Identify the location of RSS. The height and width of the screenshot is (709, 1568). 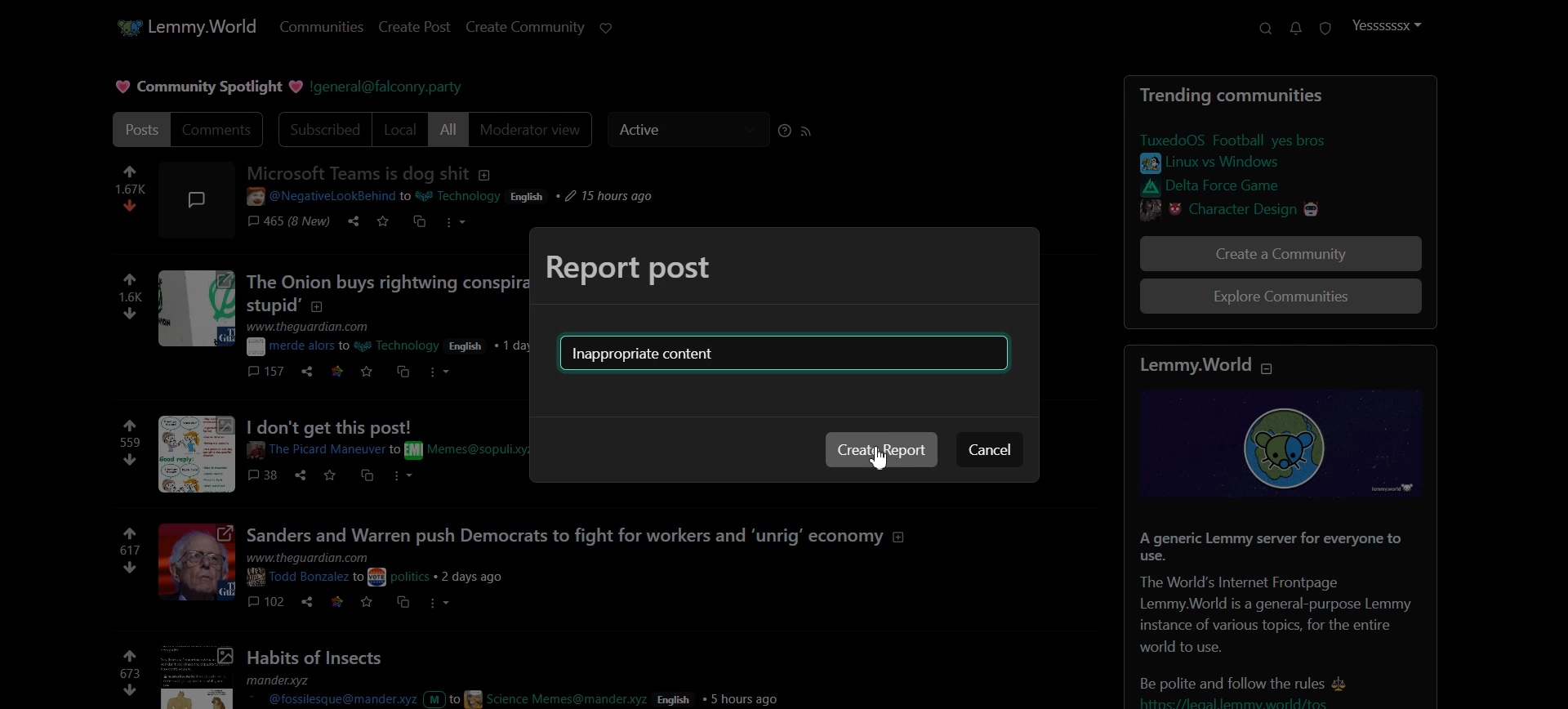
(808, 130).